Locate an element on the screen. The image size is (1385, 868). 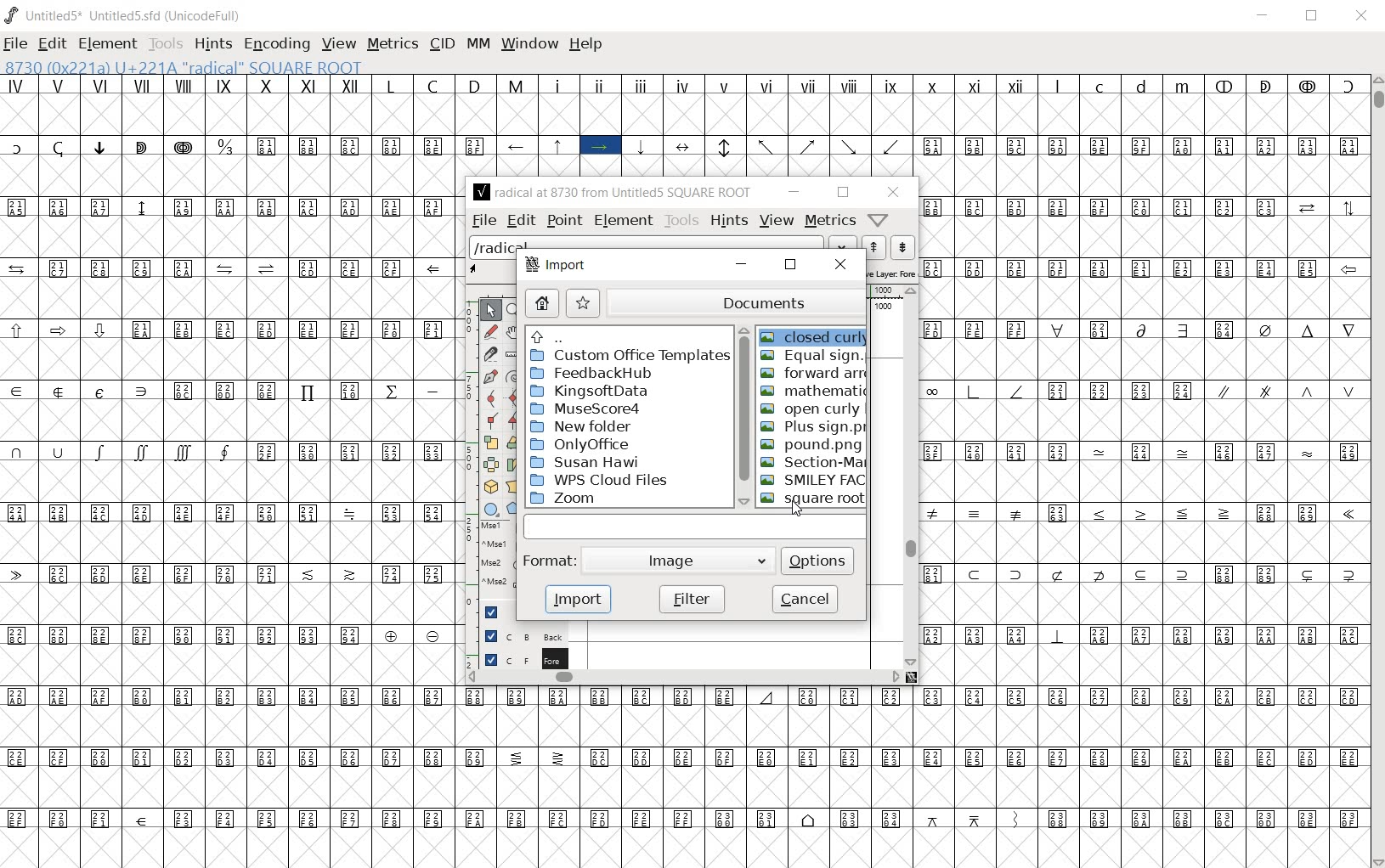
KingsoftData is located at coordinates (590, 392).